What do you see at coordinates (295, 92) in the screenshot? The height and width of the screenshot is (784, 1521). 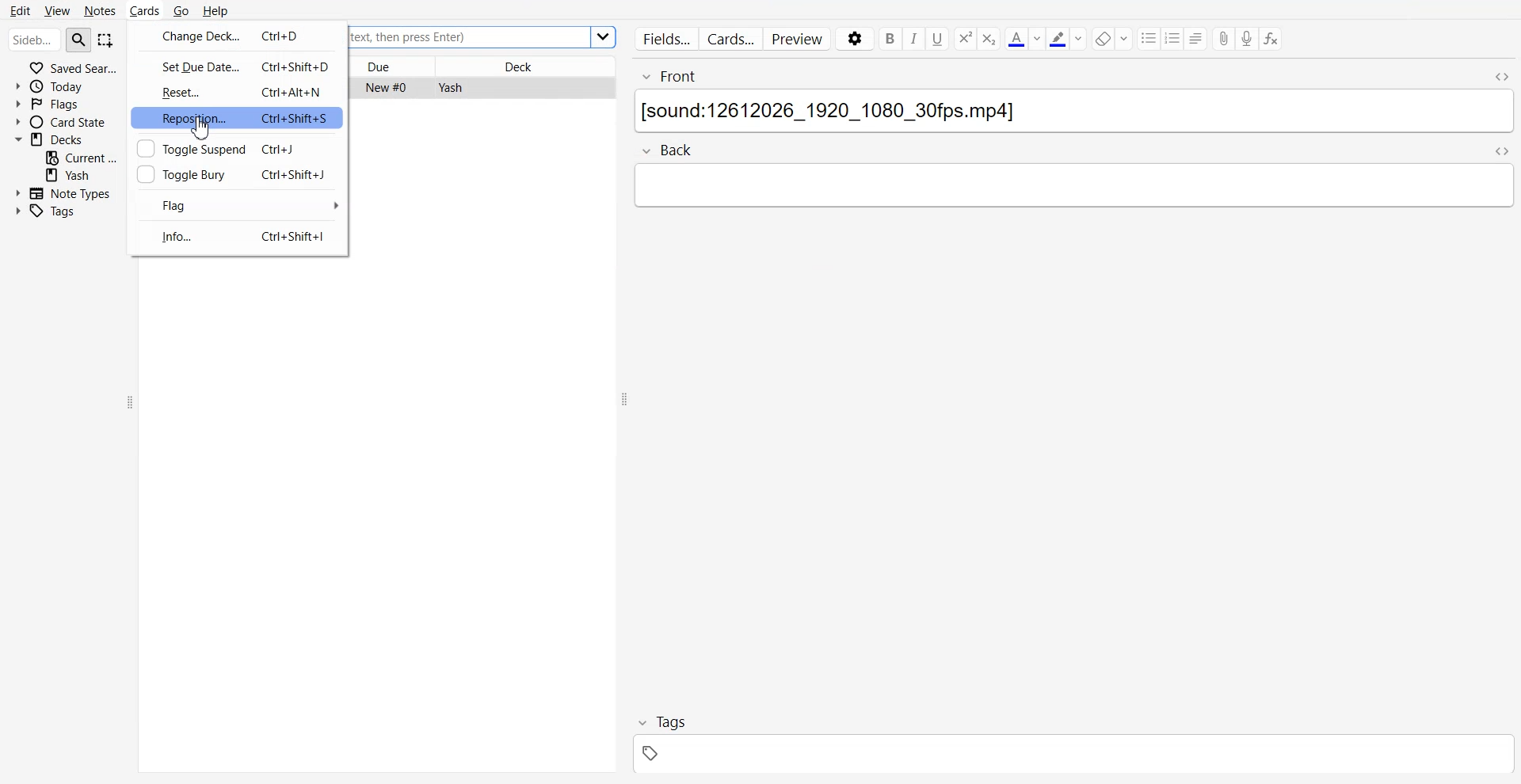 I see `Ctri+Alt+N` at bounding box center [295, 92].